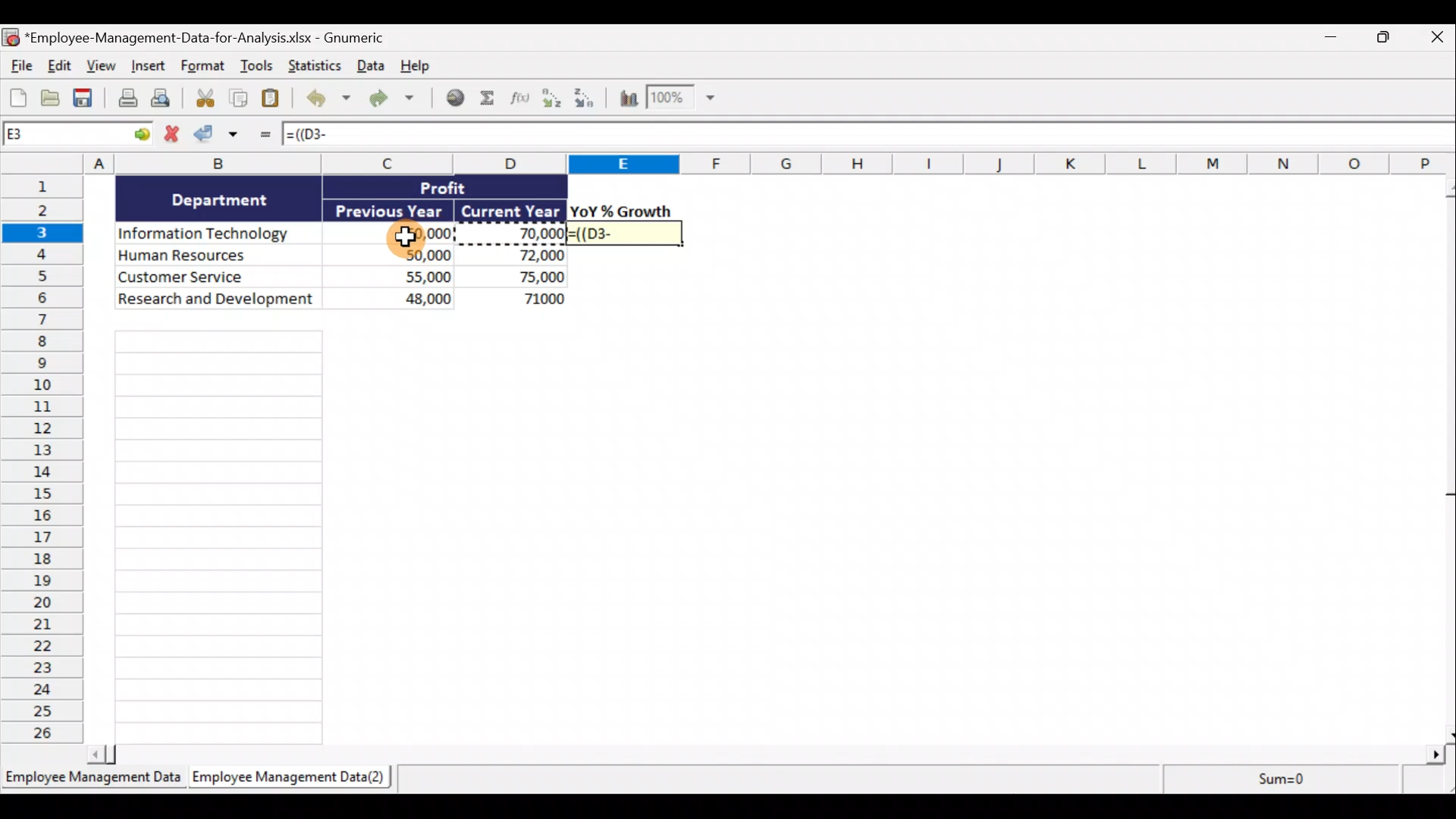  Describe the element at coordinates (174, 134) in the screenshot. I see `Cancel change` at that location.